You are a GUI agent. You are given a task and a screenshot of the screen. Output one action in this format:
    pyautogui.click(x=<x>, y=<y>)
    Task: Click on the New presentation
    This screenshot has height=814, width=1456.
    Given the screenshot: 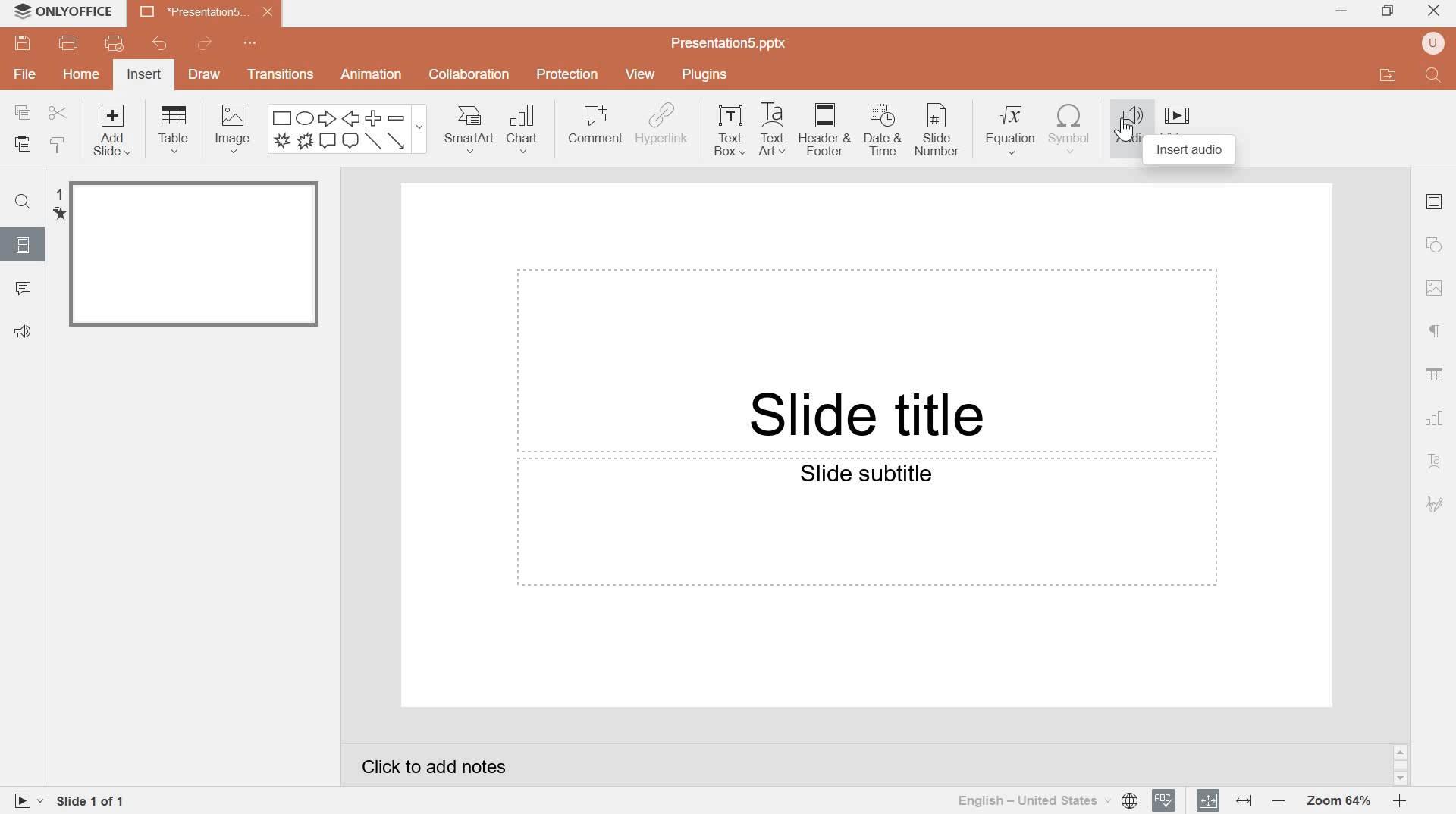 What is the action you would take?
    pyautogui.click(x=206, y=11)
    